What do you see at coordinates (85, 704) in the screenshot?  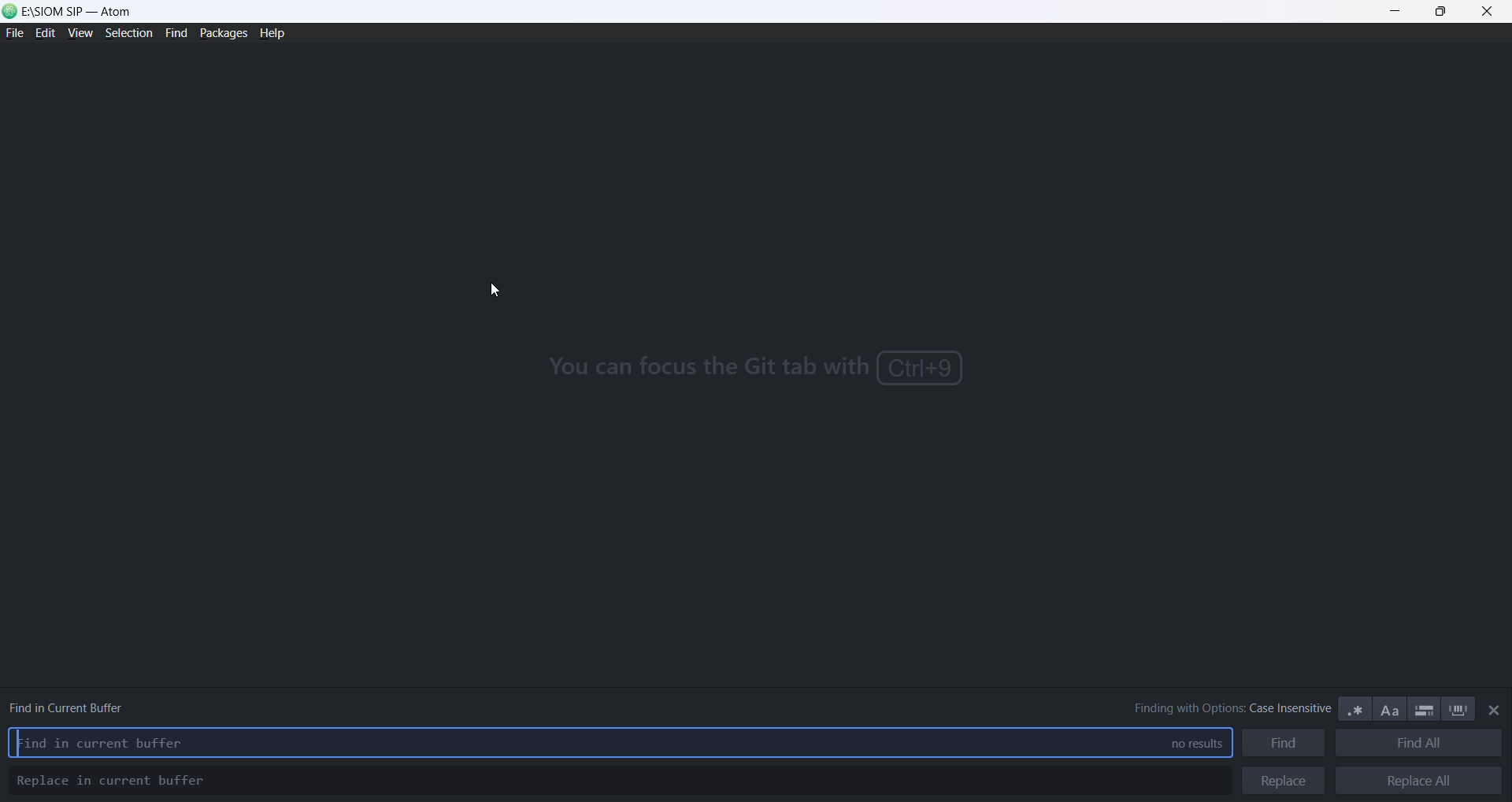 I see `find in current buffer` at bounding box center [85, 704].